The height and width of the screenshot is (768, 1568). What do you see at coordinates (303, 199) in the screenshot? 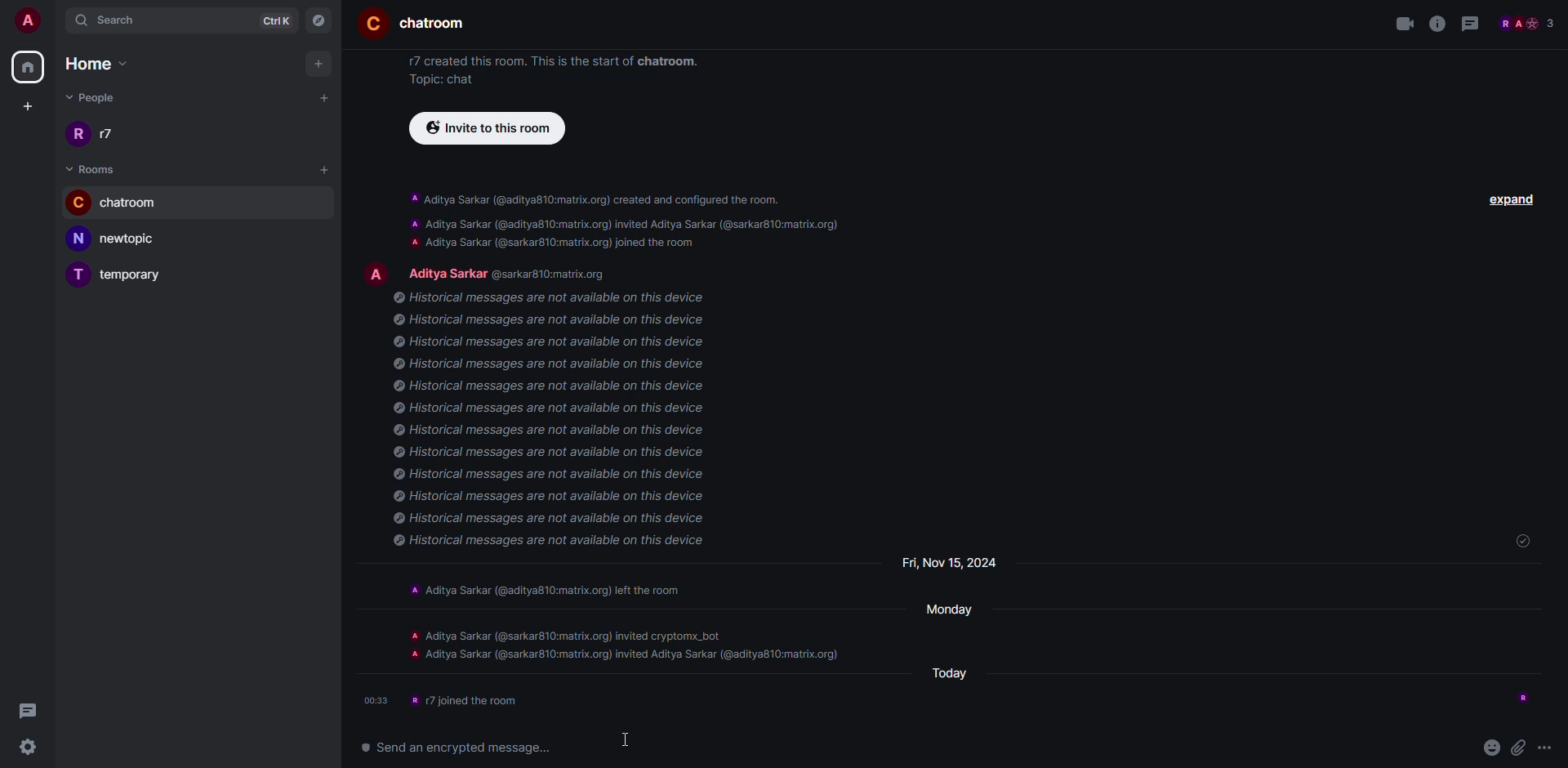
I see `more` at bounding box center [303, 199].